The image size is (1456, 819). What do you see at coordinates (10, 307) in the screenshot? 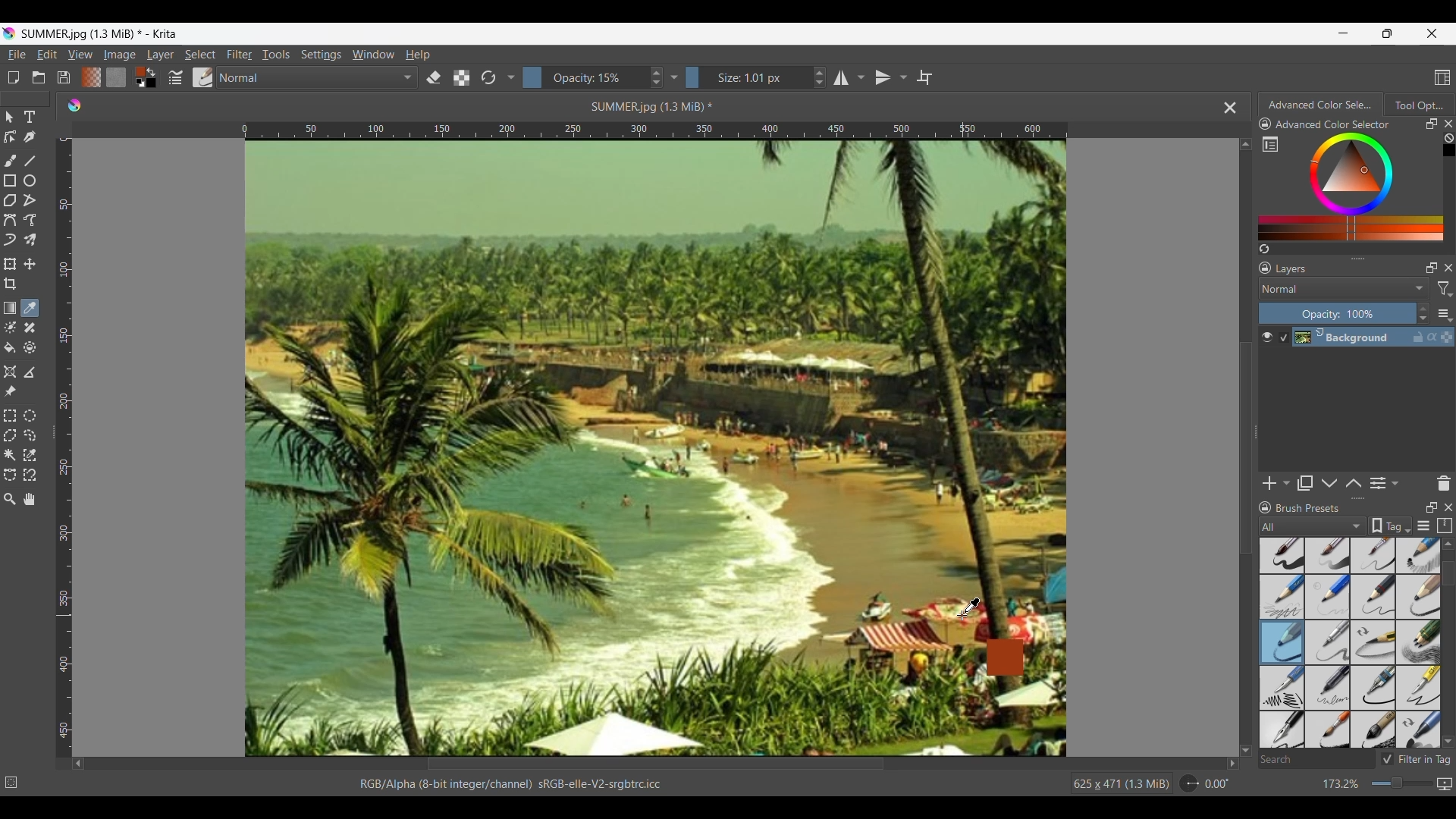
I see `Draw a gradient` at bounding box center [10, 307].